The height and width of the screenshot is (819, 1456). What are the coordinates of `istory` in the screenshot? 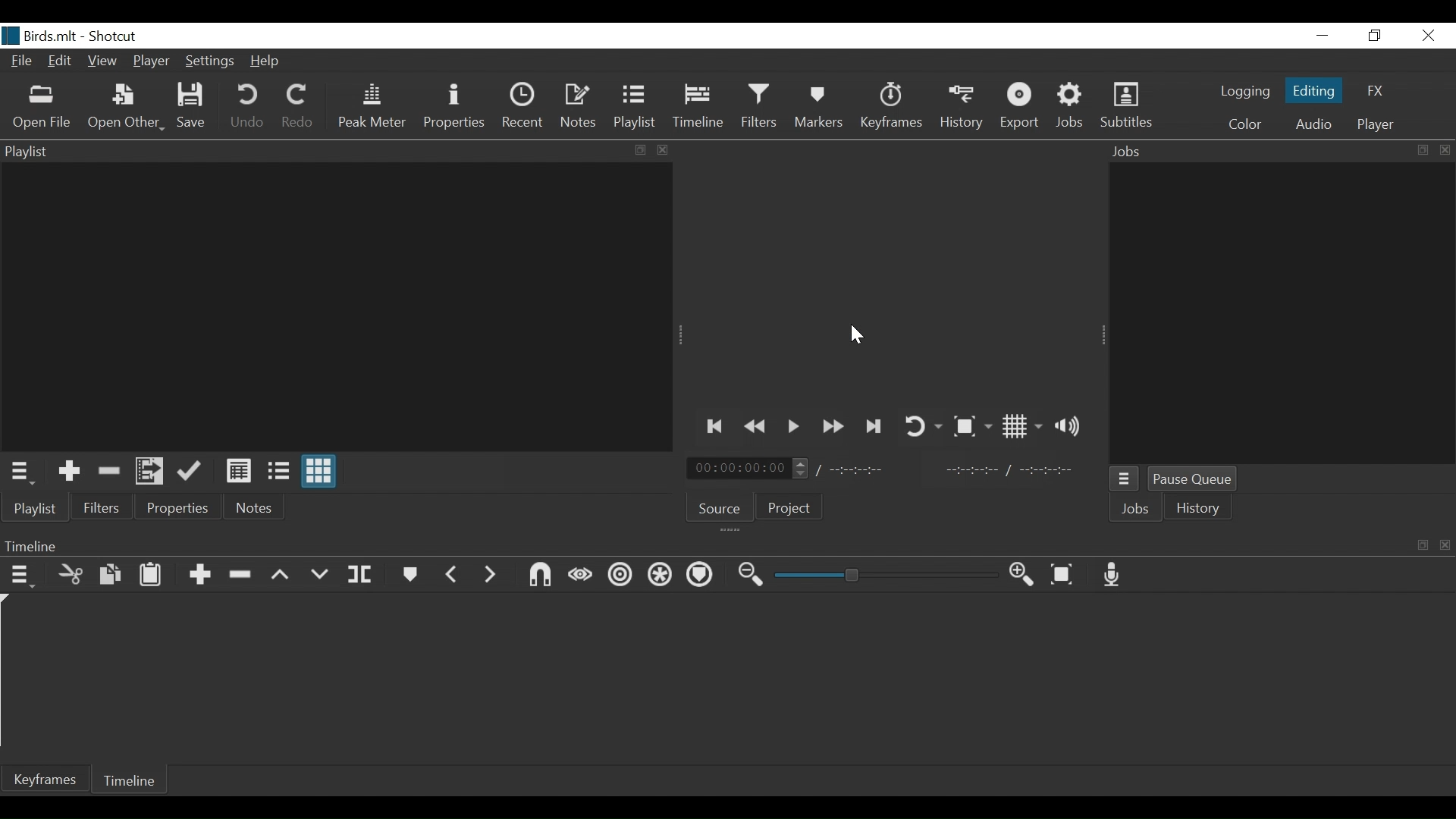 It's located at (1202, 508).